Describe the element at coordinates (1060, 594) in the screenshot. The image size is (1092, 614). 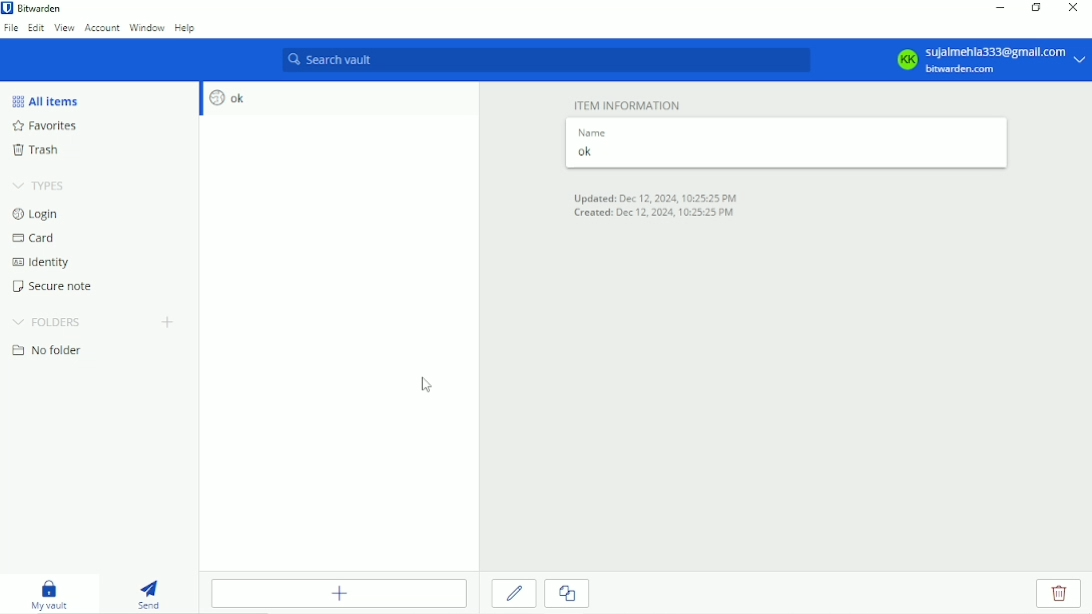
I see `Delete` at that location.